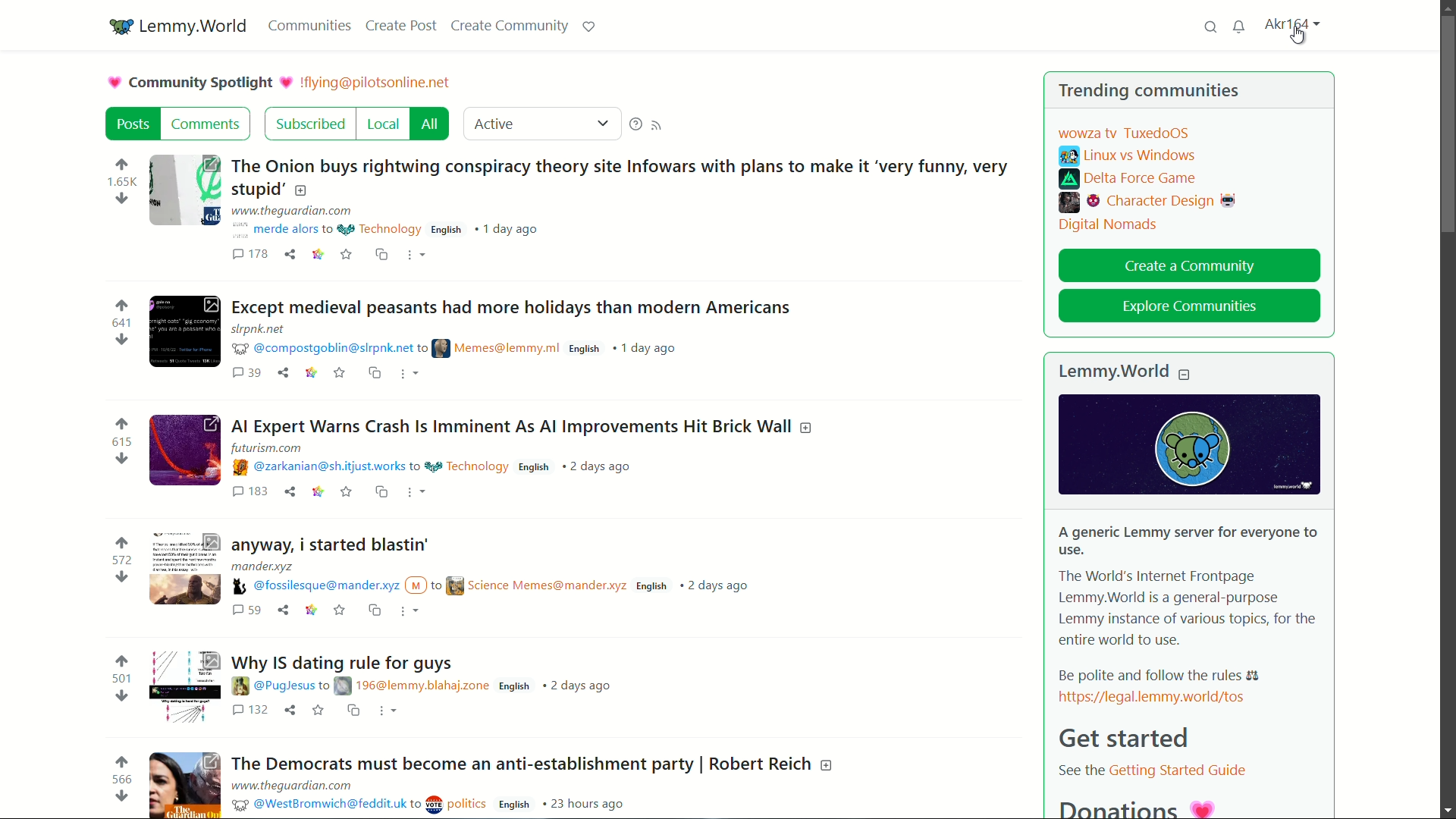 The image size is (1456, 819). What do you see at coordinates (1191, 268) in the screenshot?
I see `create a community` at bounding box center [1191, 268].